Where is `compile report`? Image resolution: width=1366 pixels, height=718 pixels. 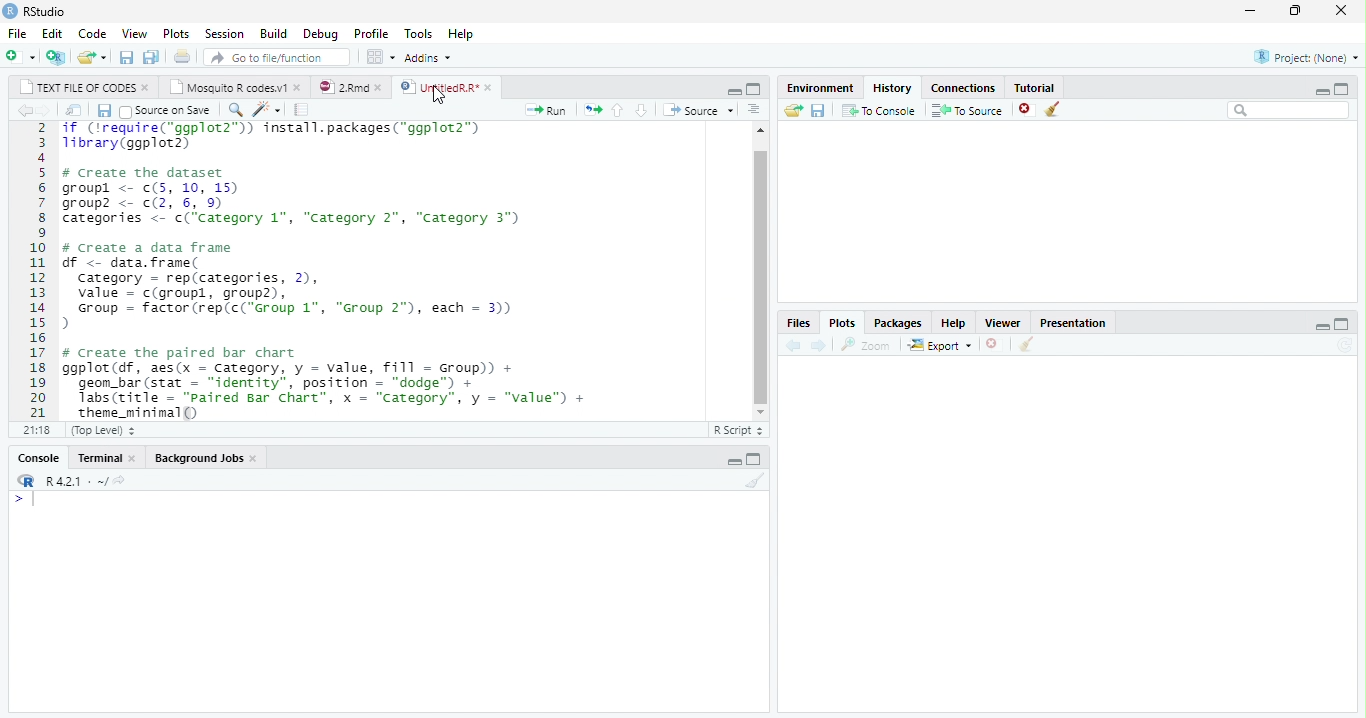
compile report is located at coordinates (305, 110).